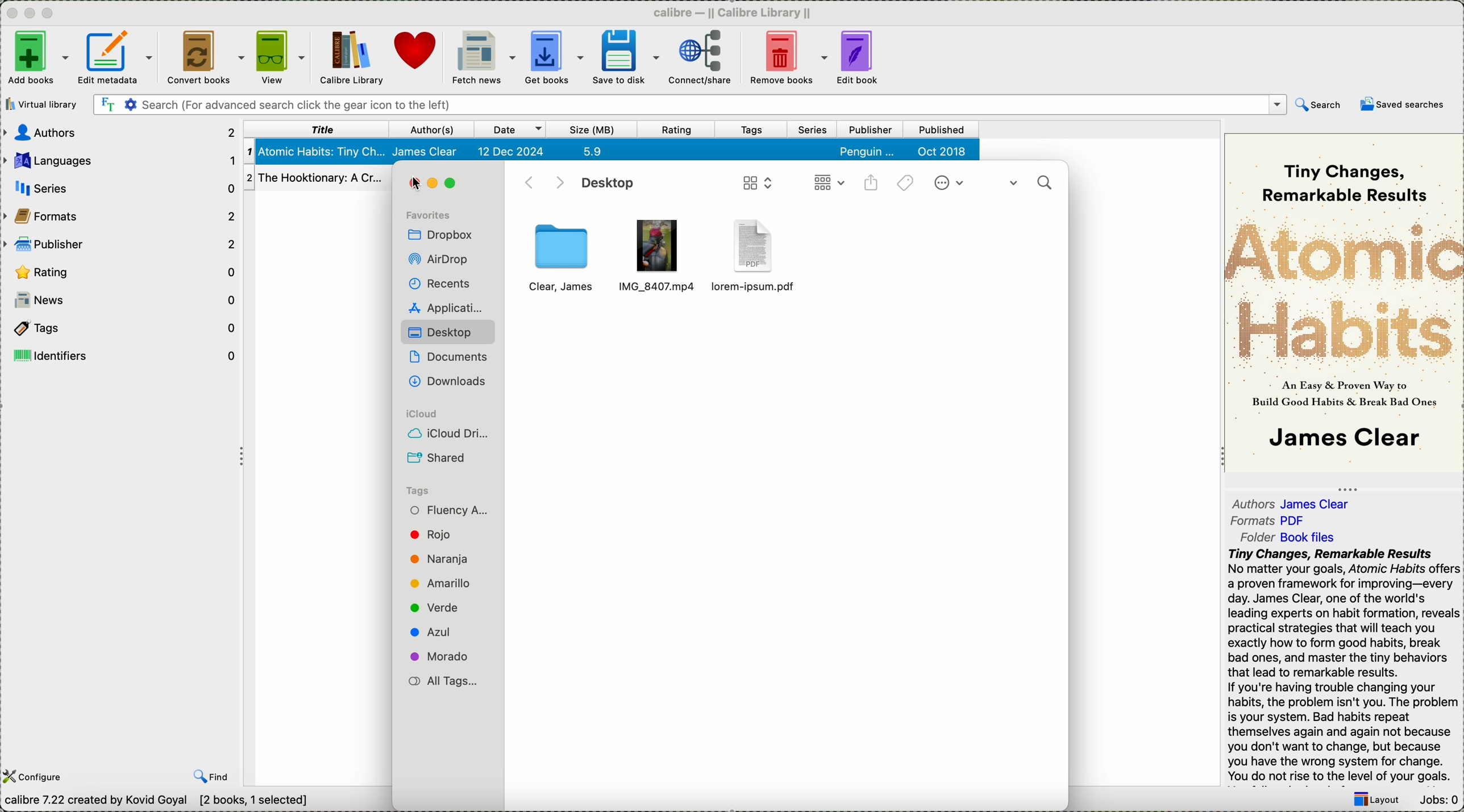 This screenshot has width=1464, height=812. What do you see at coordinates (859, 59) in the screenshot?
I see `edit book` at bounding box center [859, 59].